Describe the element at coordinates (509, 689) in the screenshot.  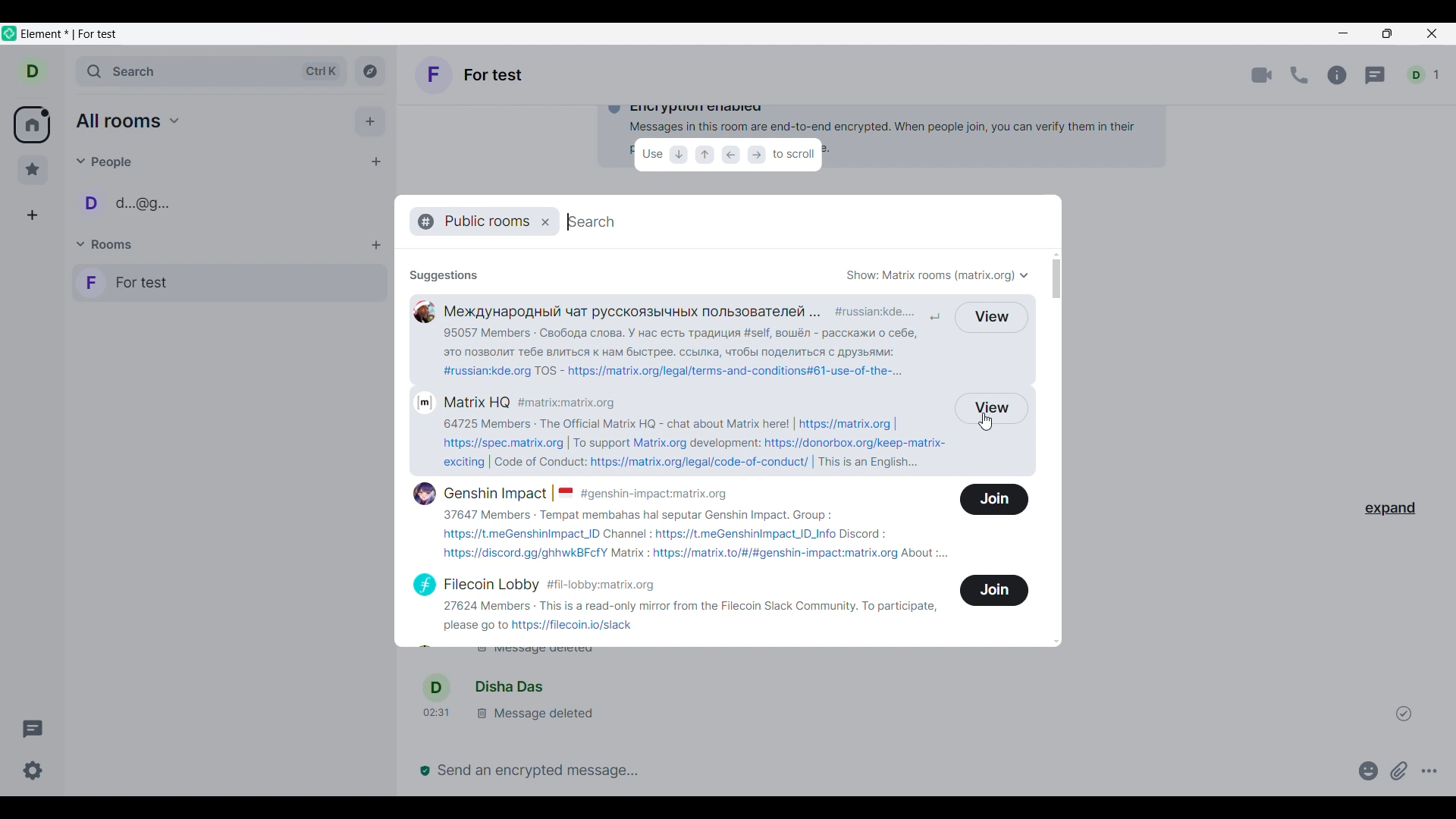
I see `Disha Das` at that location.